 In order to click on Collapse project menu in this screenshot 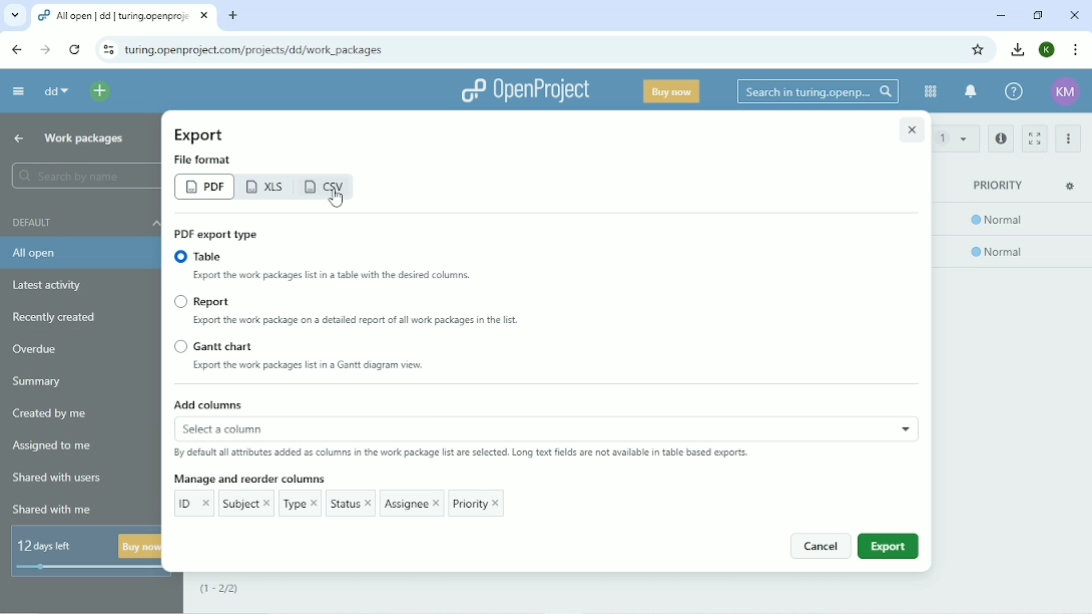, I will do `click(18, 91)`.